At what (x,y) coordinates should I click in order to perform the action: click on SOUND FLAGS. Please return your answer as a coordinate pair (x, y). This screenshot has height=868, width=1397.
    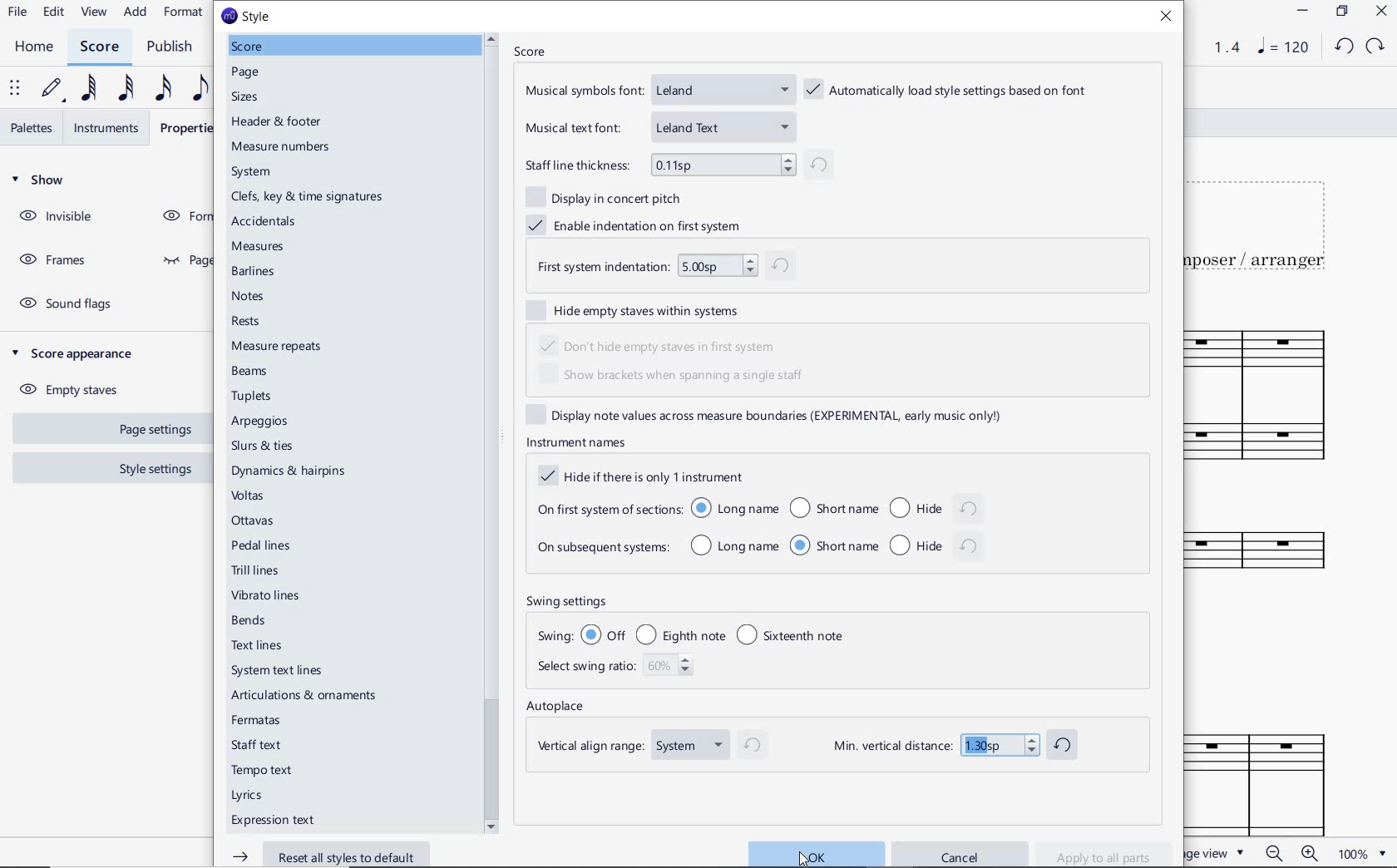
    Looking at the image, I should click on (70, 303).